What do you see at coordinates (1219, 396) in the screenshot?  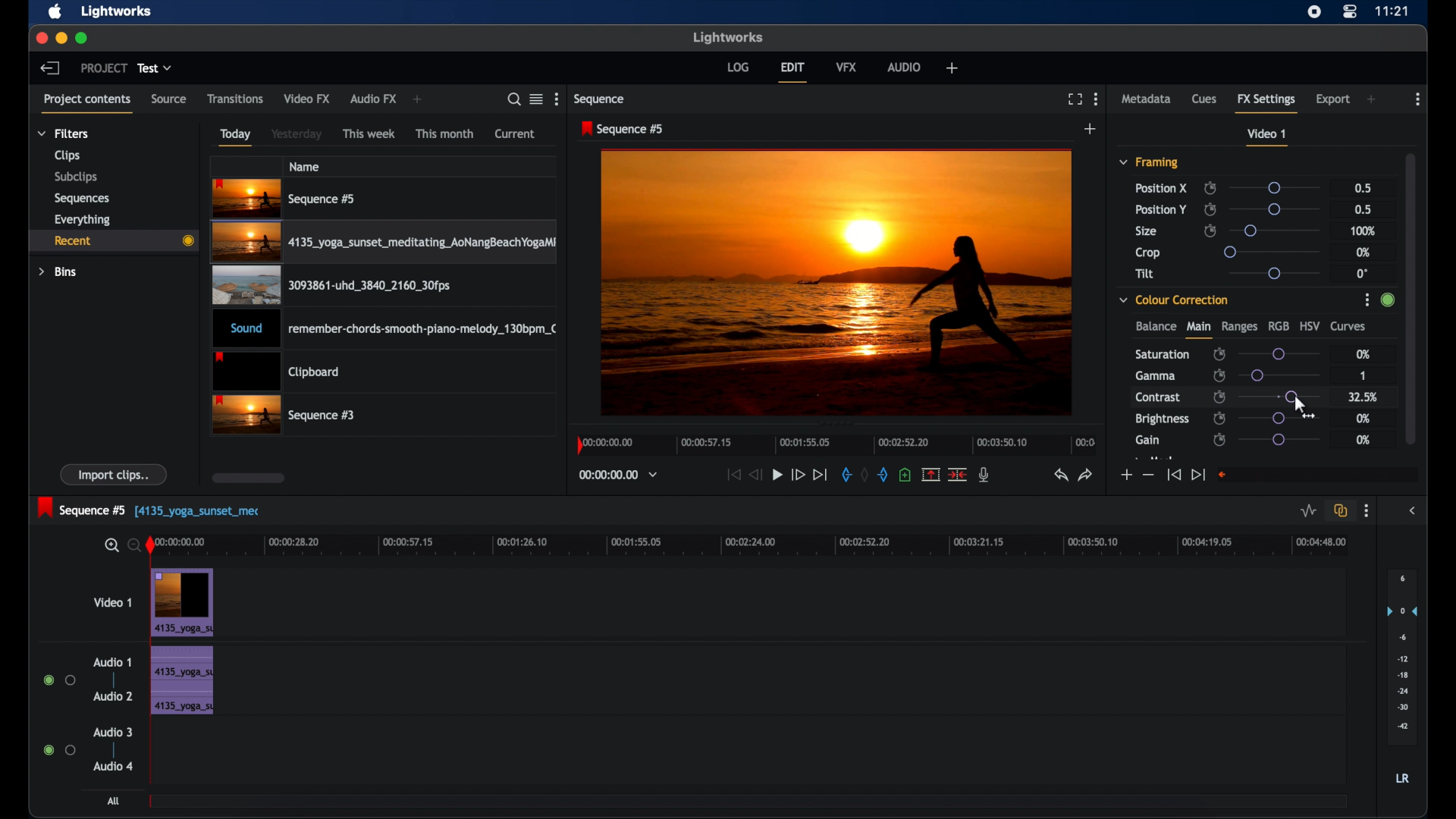 I see `enable/disable keyframes` at bounding box center [1219, 396].